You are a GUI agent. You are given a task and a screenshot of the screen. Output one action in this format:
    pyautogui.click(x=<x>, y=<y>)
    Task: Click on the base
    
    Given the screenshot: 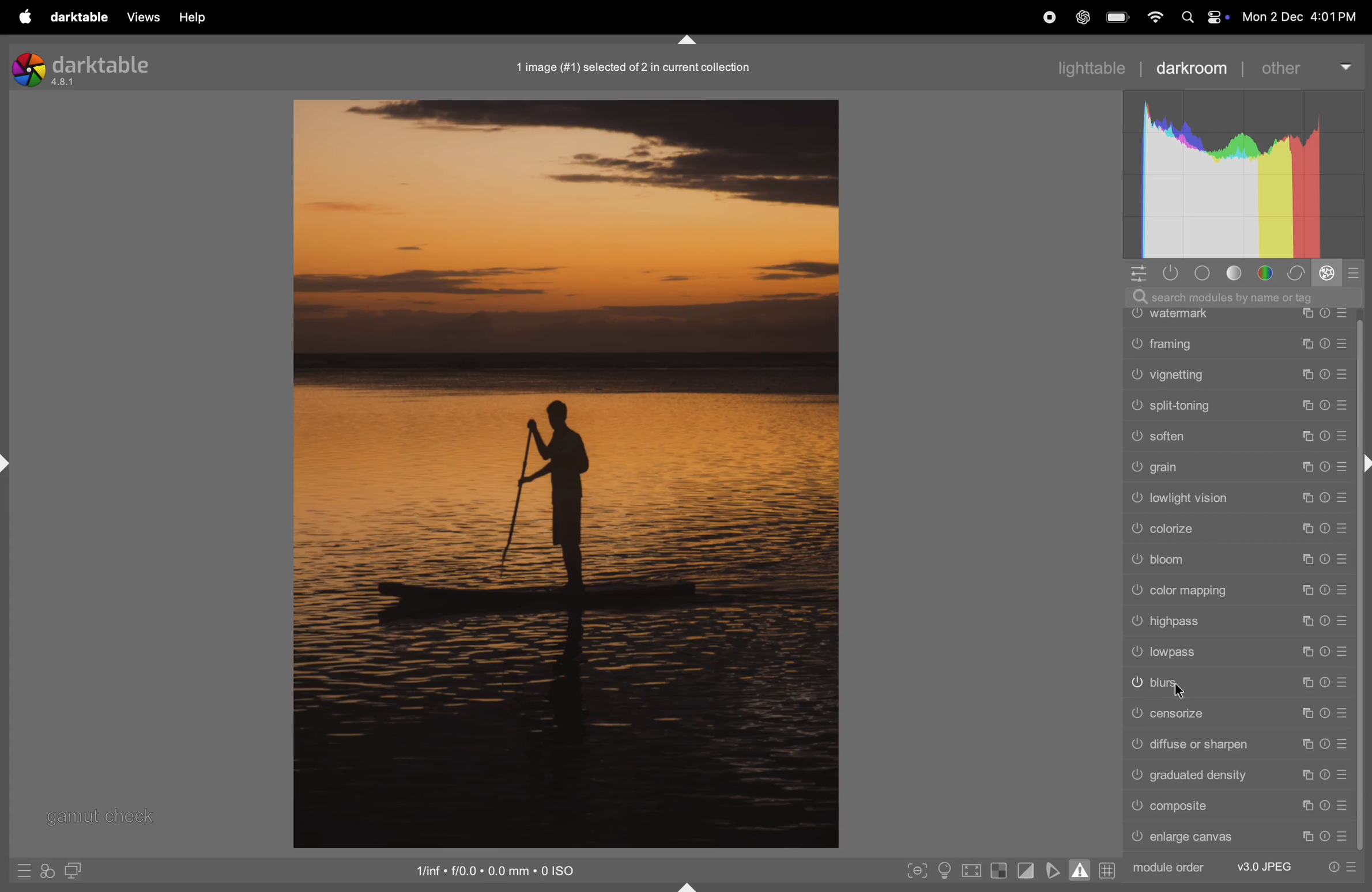 What is the action you would take?
    pyautogui.click(x=1206, y=273)
    